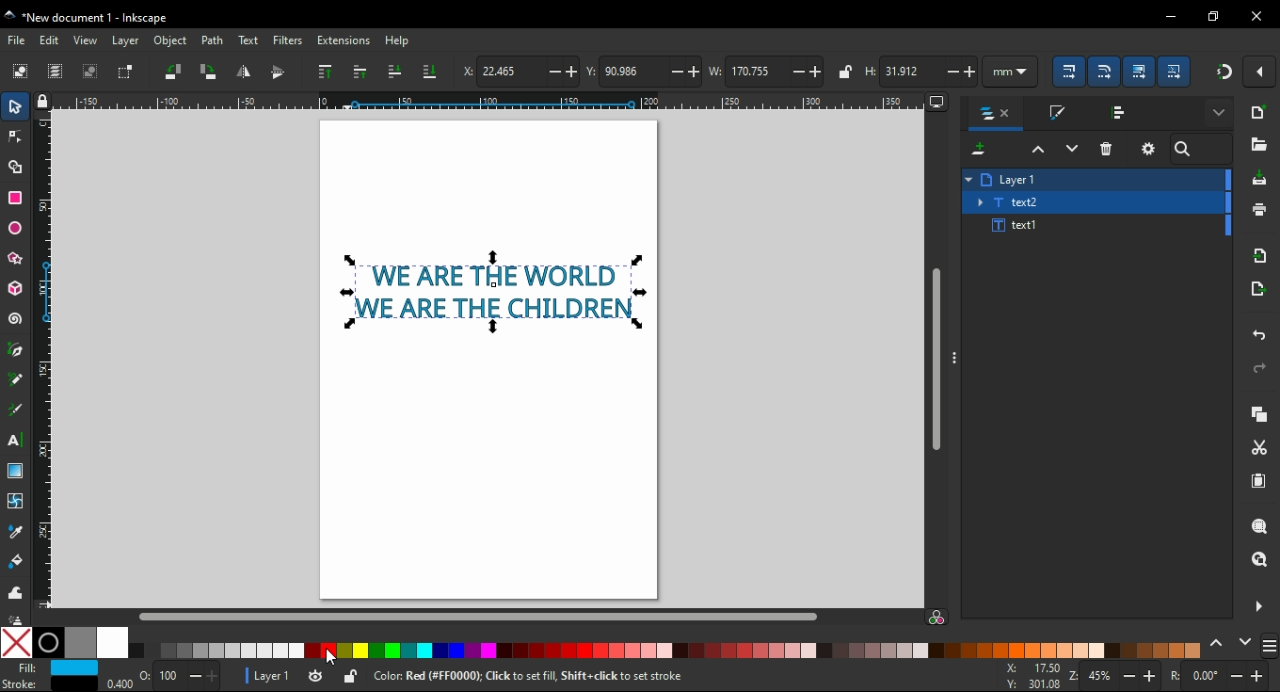  What do you see at coordinates (16, 590) in the screenshot?
I see `tweak tool` at bounding box center [16, 590].